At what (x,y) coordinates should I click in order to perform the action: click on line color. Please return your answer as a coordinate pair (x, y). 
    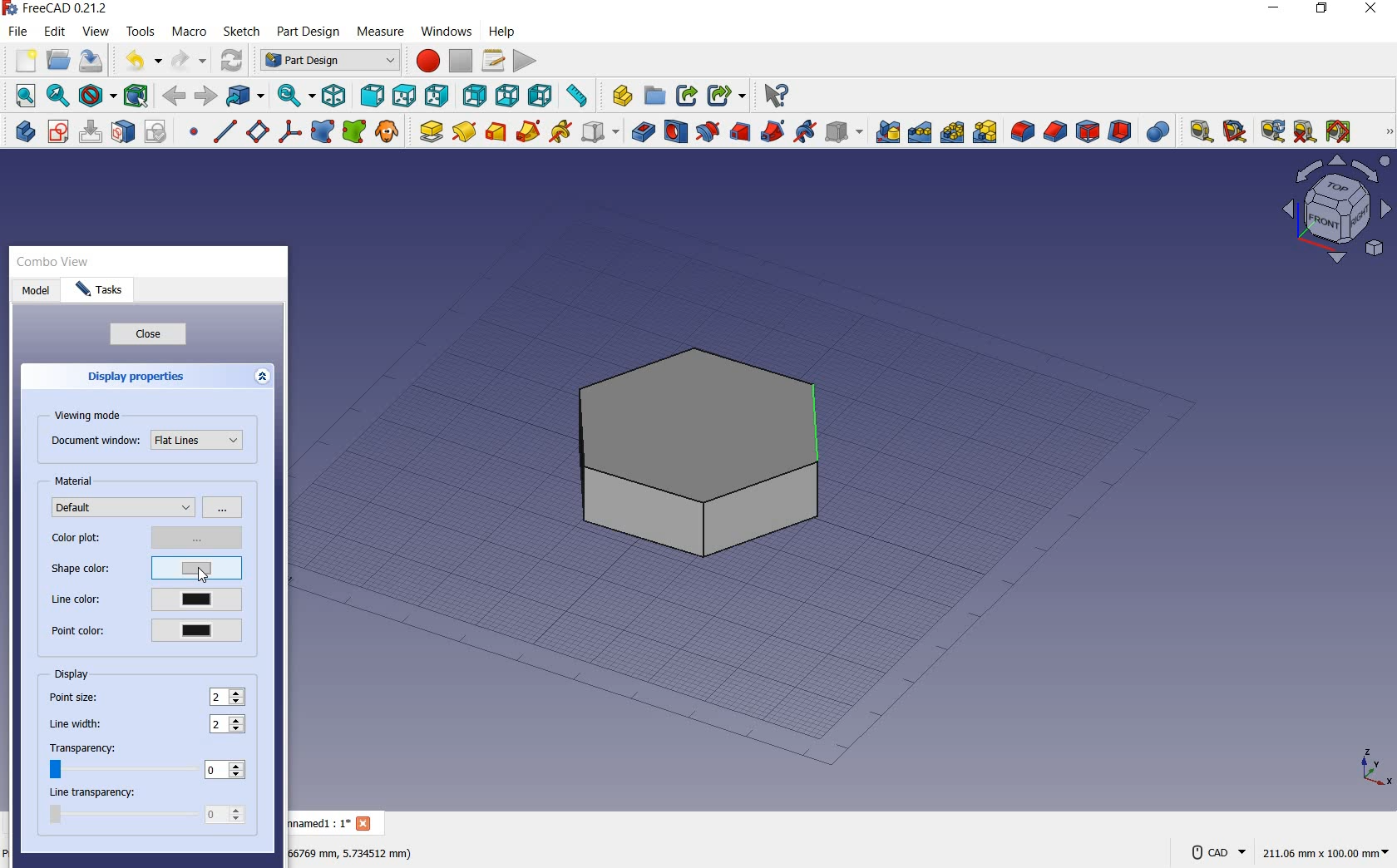
    Looking at the image, I should click on (74, 600).